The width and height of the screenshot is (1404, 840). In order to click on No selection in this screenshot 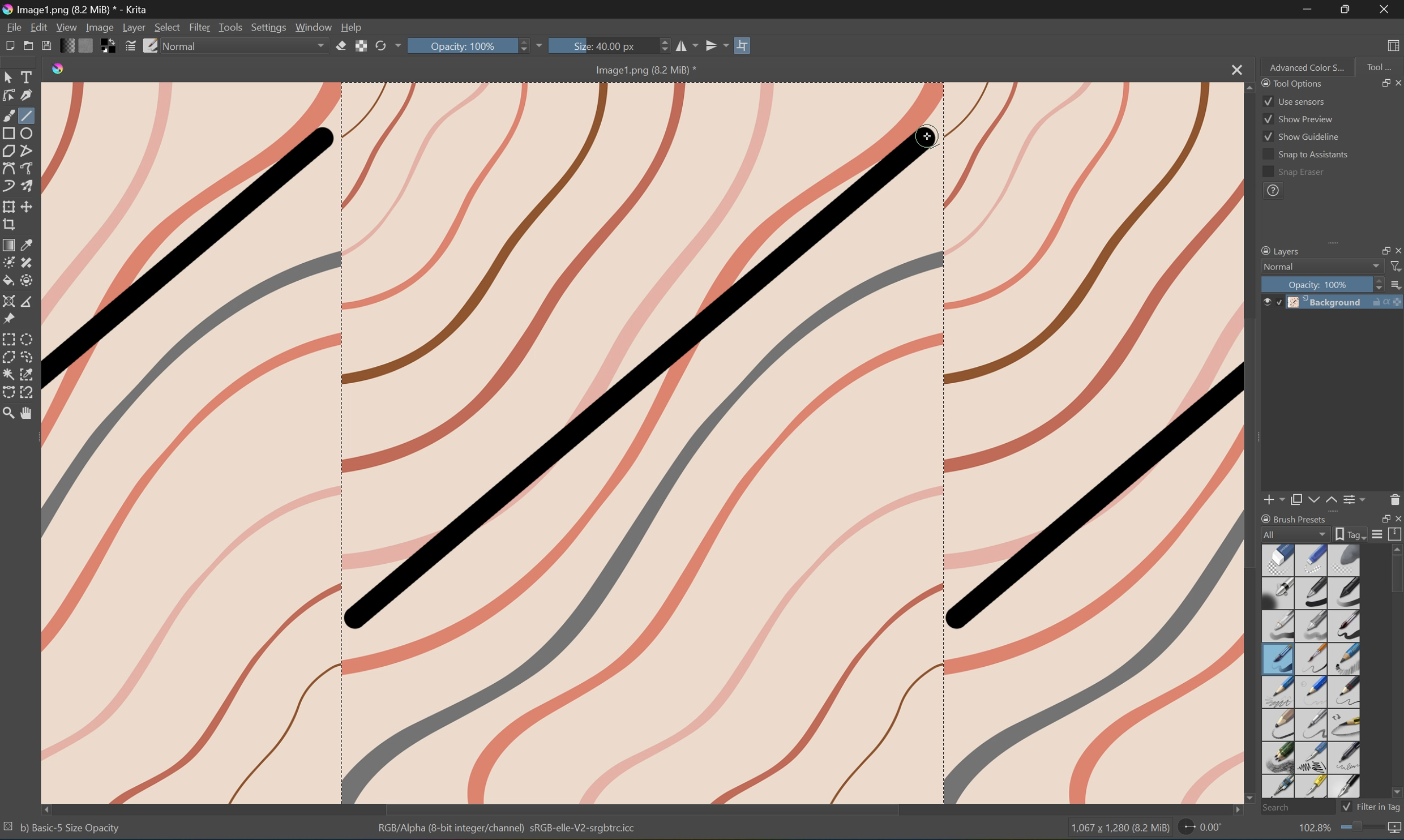, I will do `click(9, 829)`.